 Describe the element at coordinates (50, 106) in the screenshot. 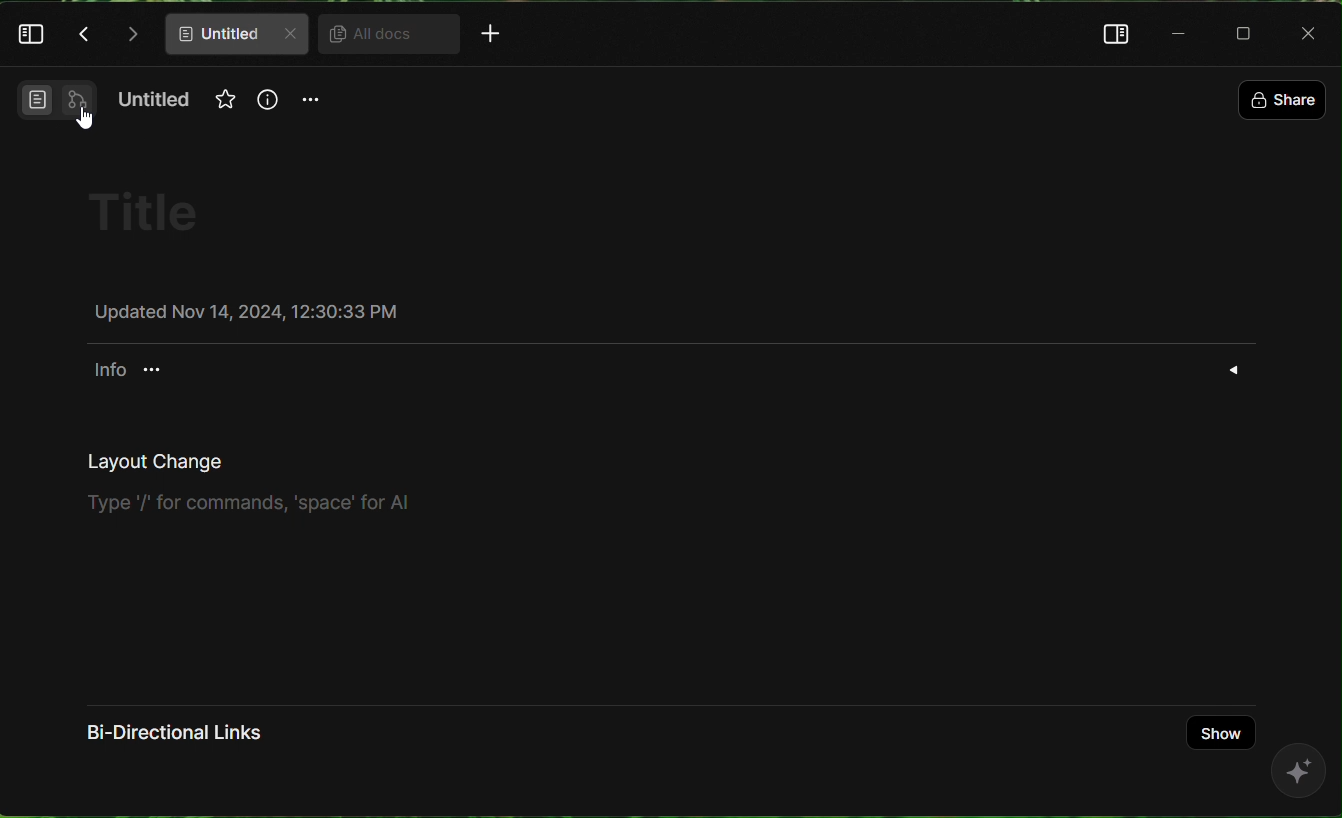

I see `Switch` at that location.